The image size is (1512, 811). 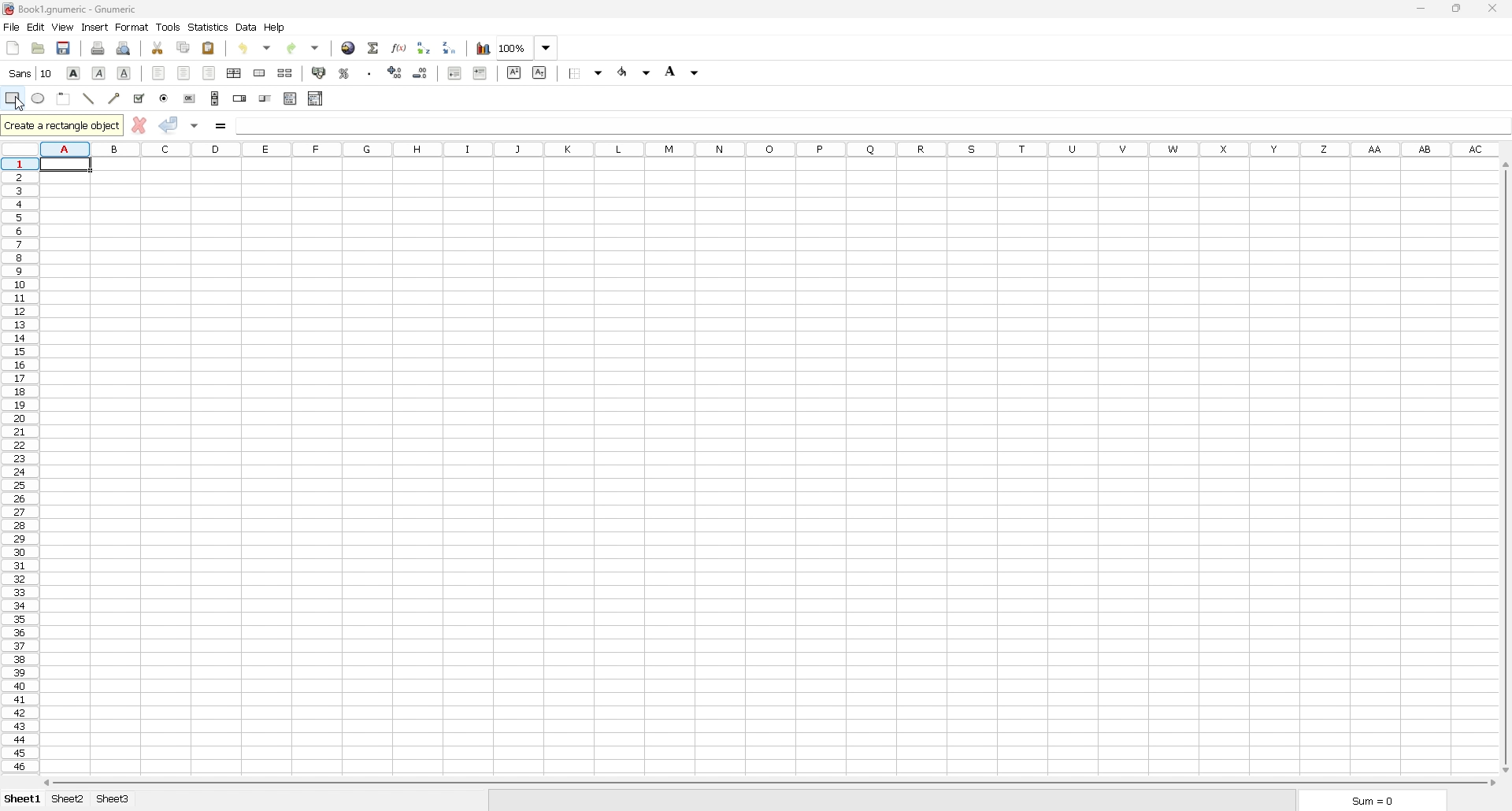 What do you see at coordinates (285, 73) in the screenshot?
I see `split merged cells` at bounding box center [285, 73].